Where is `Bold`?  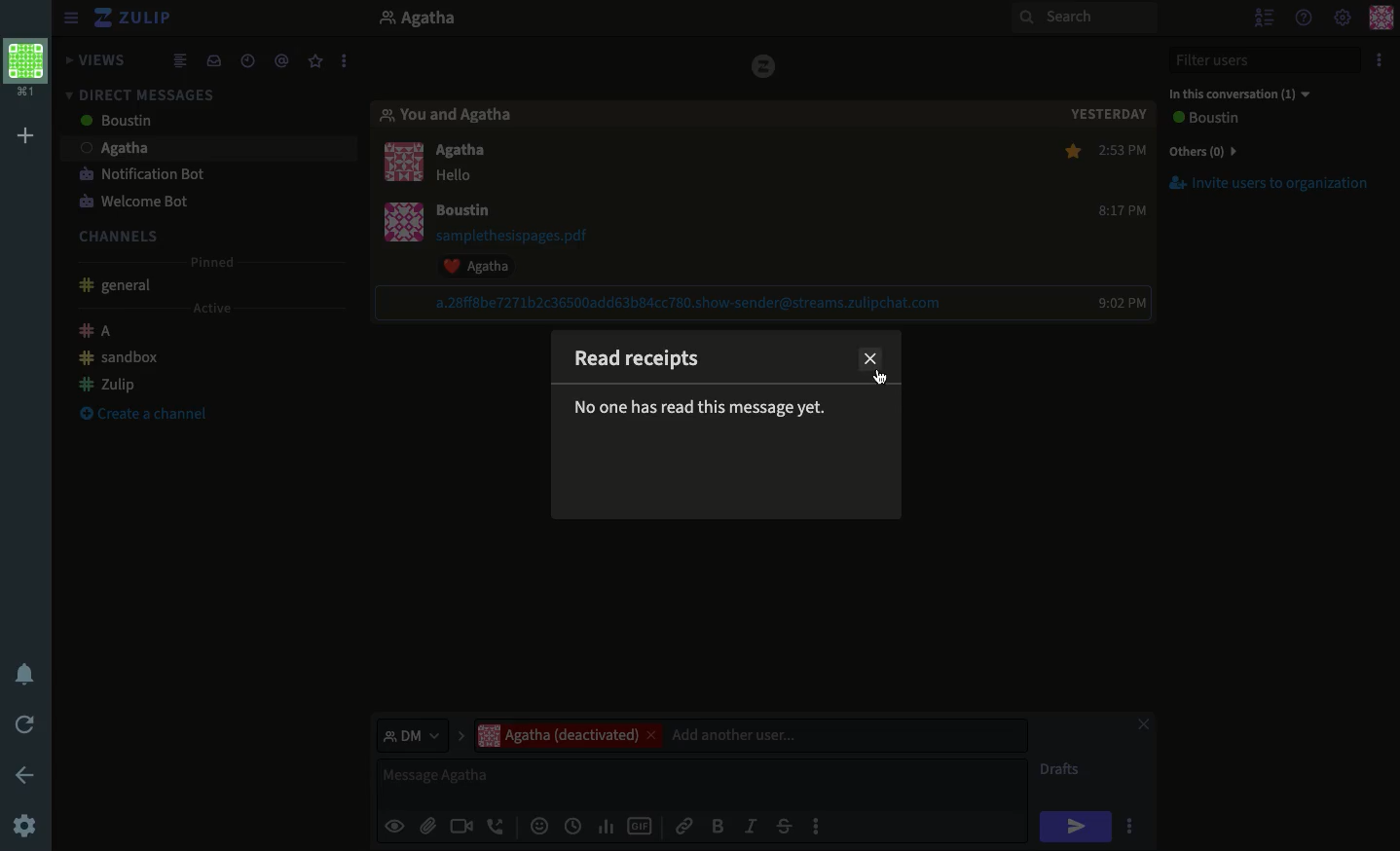 Bold is located at coordinates (718, 825).